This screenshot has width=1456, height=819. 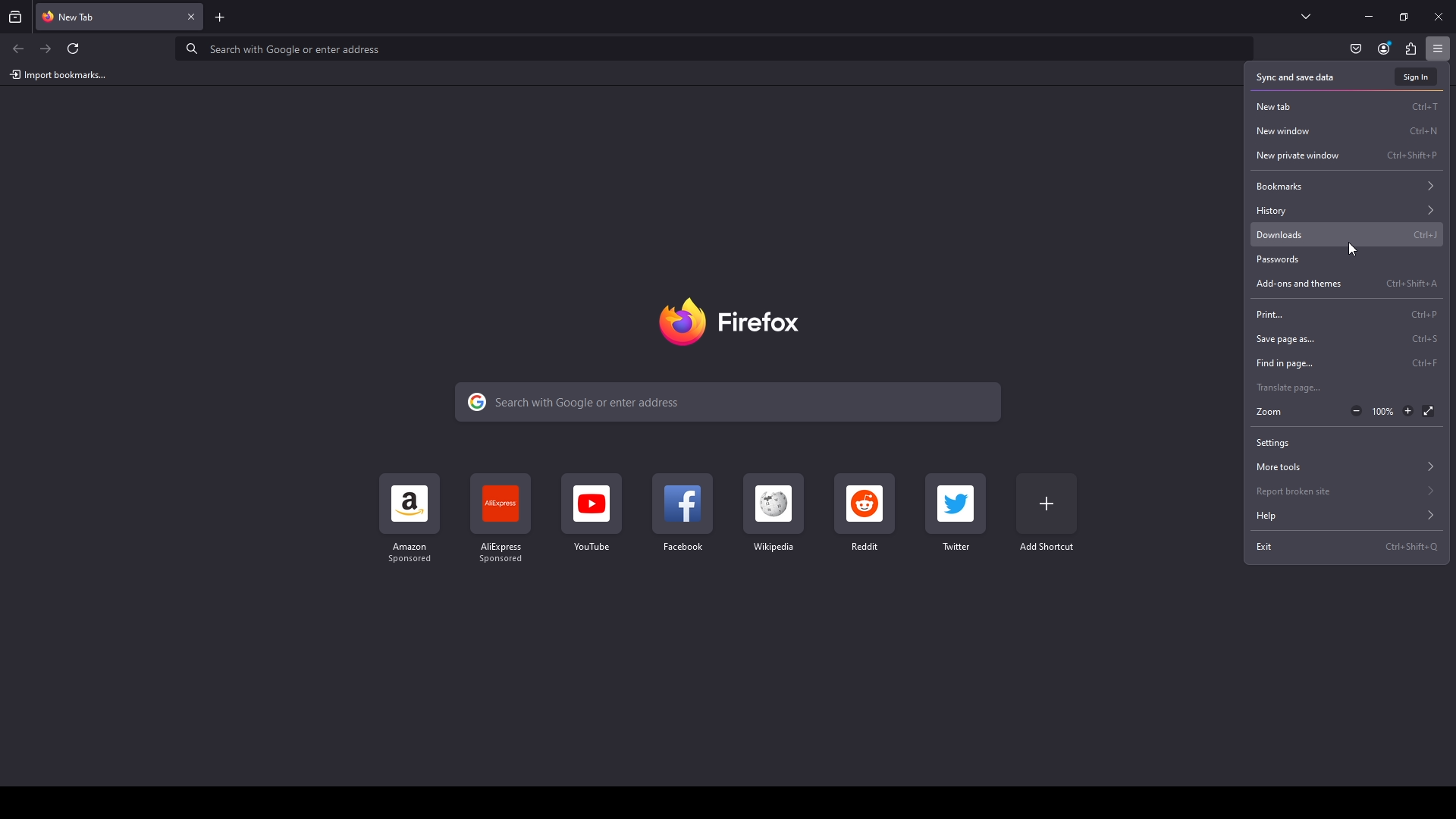 What do you see at coordinates (1357, 411) in the screenshot?
I see `Decrease zoom` at bounding box center [1357, 411].